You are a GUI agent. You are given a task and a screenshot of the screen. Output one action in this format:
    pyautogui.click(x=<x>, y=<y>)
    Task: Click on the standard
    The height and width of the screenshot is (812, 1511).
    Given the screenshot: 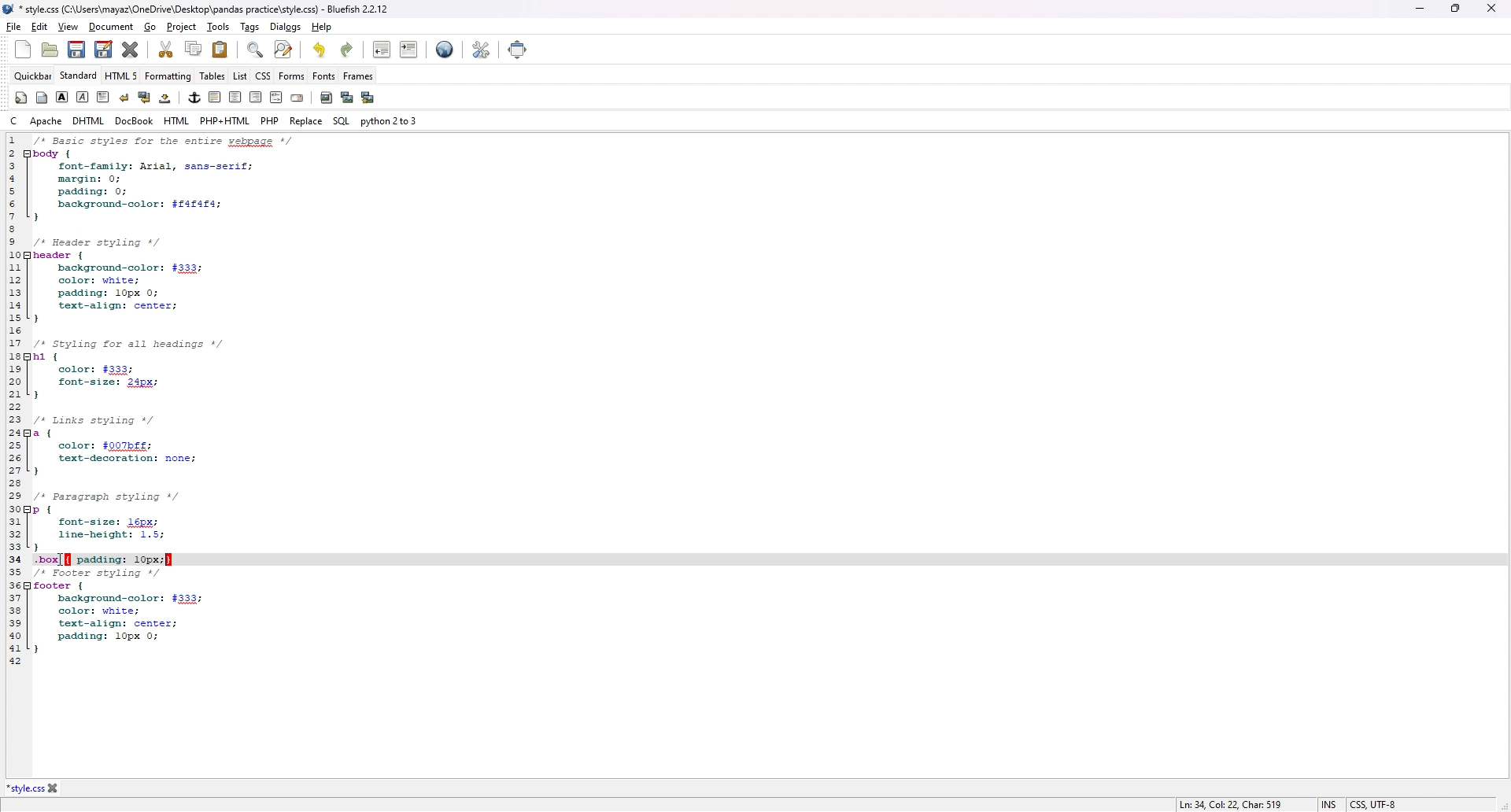 What is the action you would take?
    pyautogui.click(x=79, y=76)
    